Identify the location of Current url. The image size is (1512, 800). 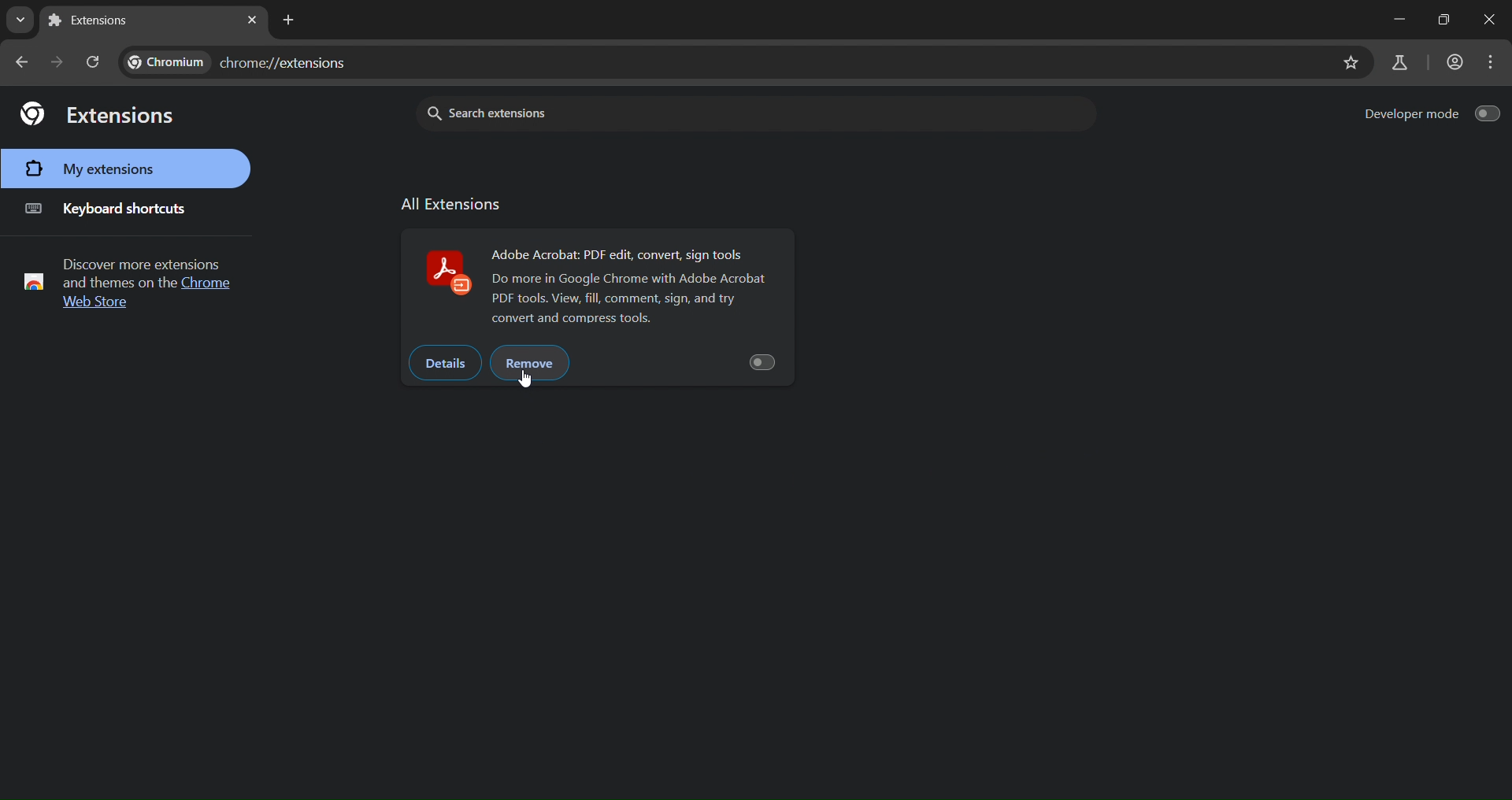
(726, 61).